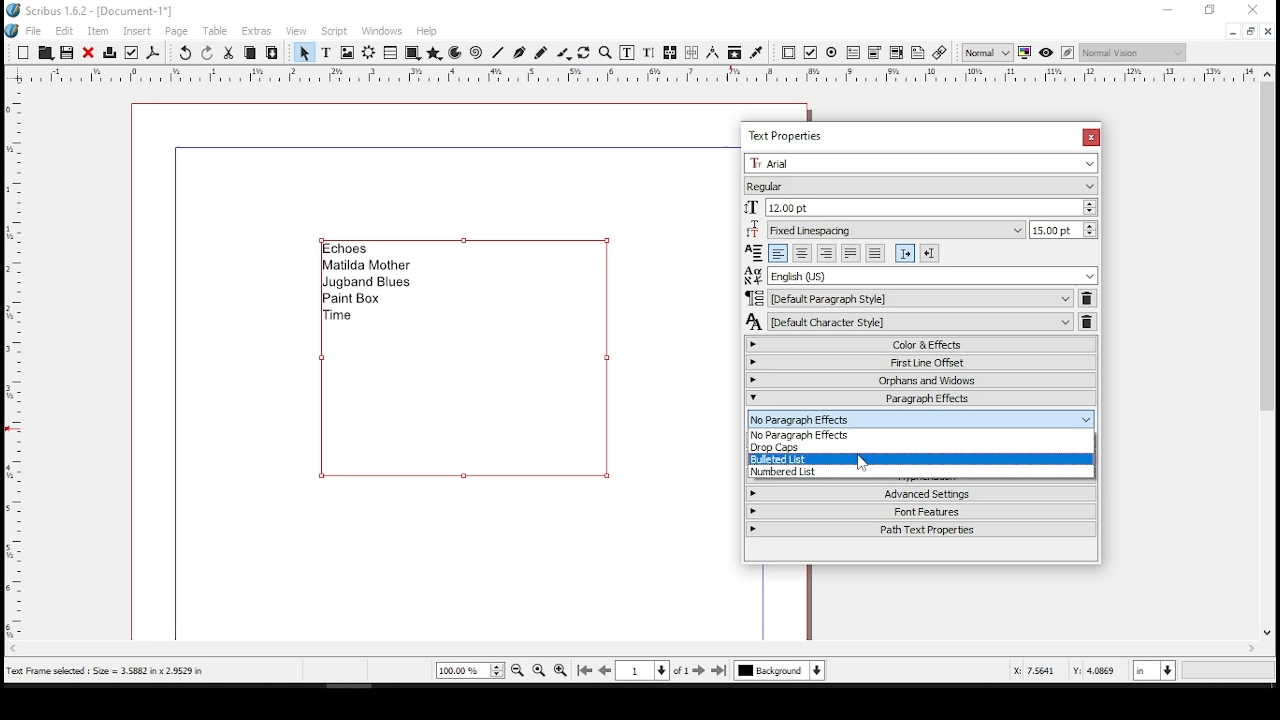 This screenshot has height=720, width=1280. What do you see at coordinates (520, 54) in the screenshot?
I see `bezeir tool` at bounding box center [520, 54].